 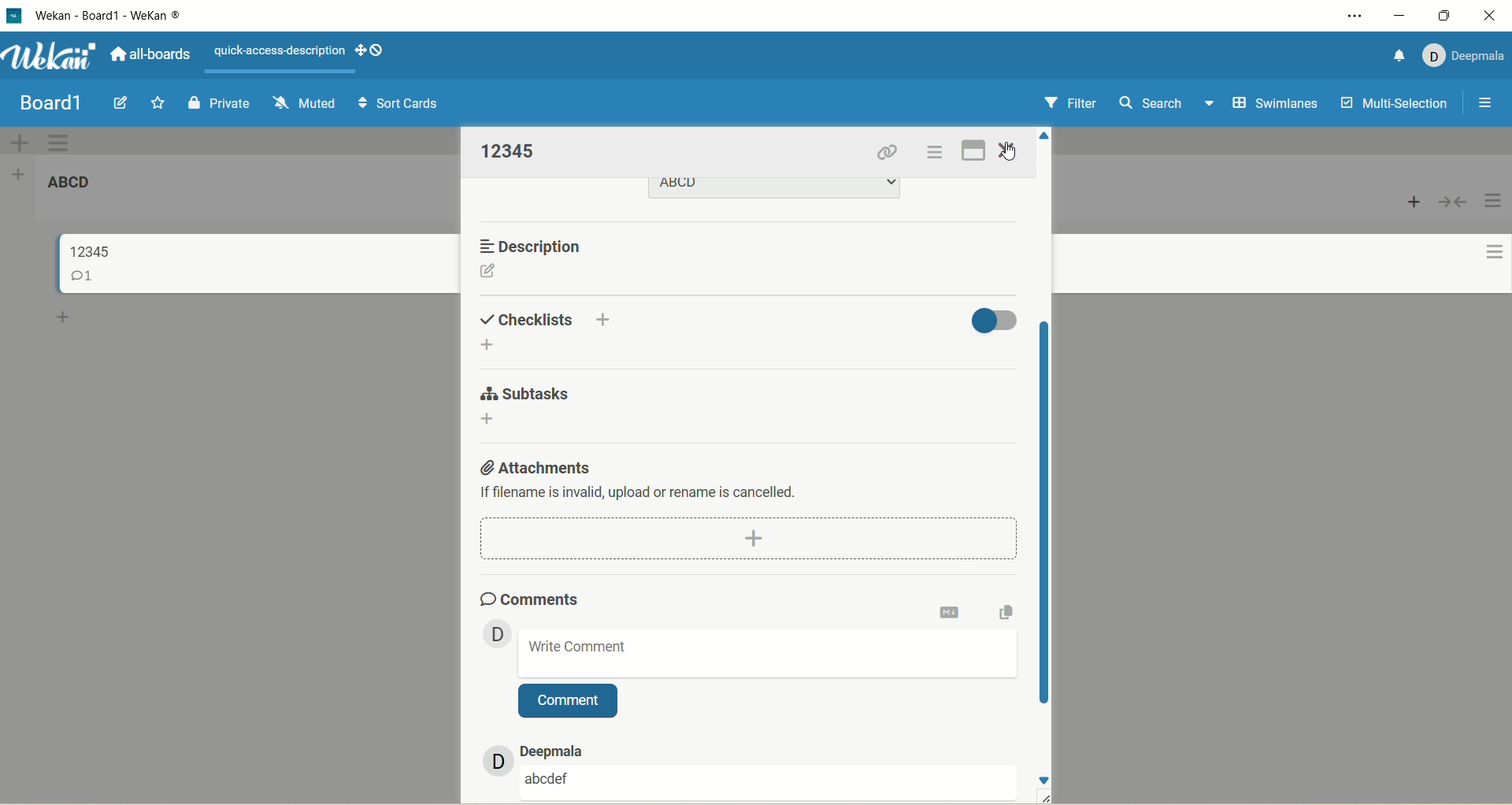 What do you see at coordinates (1007, 611) in the screenshot?
I see `copy` at bounding box center [1007, 611].